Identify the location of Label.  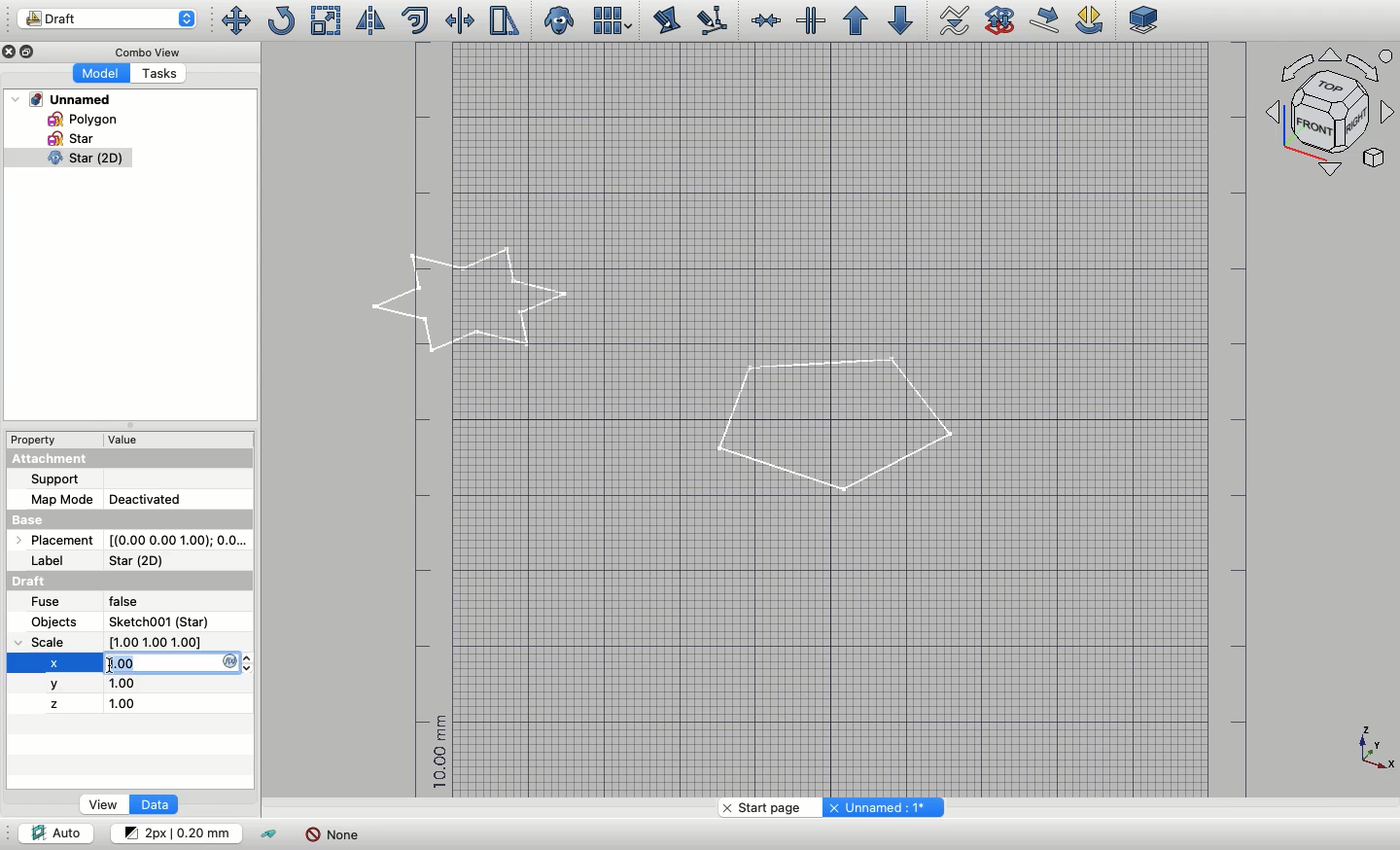
(54, 561).